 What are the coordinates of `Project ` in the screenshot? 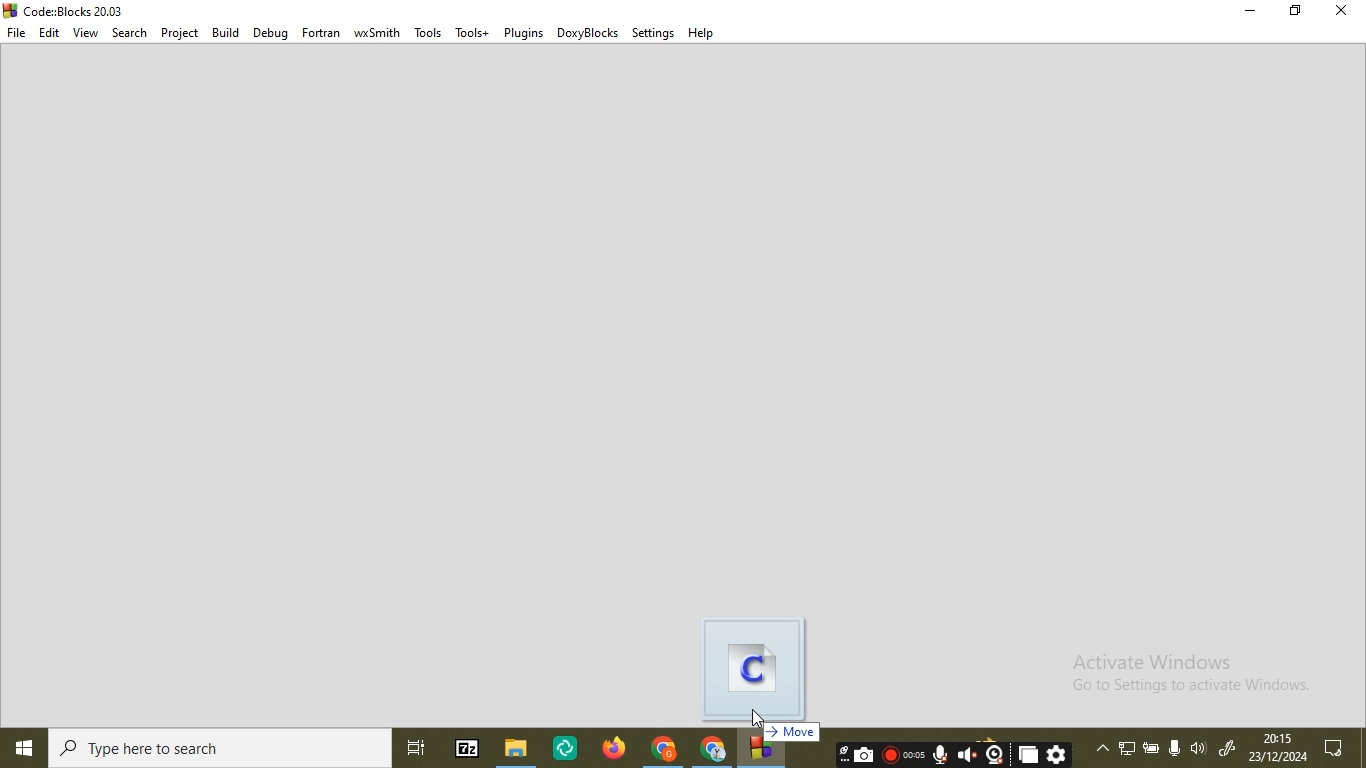 It's located at (180, 32).